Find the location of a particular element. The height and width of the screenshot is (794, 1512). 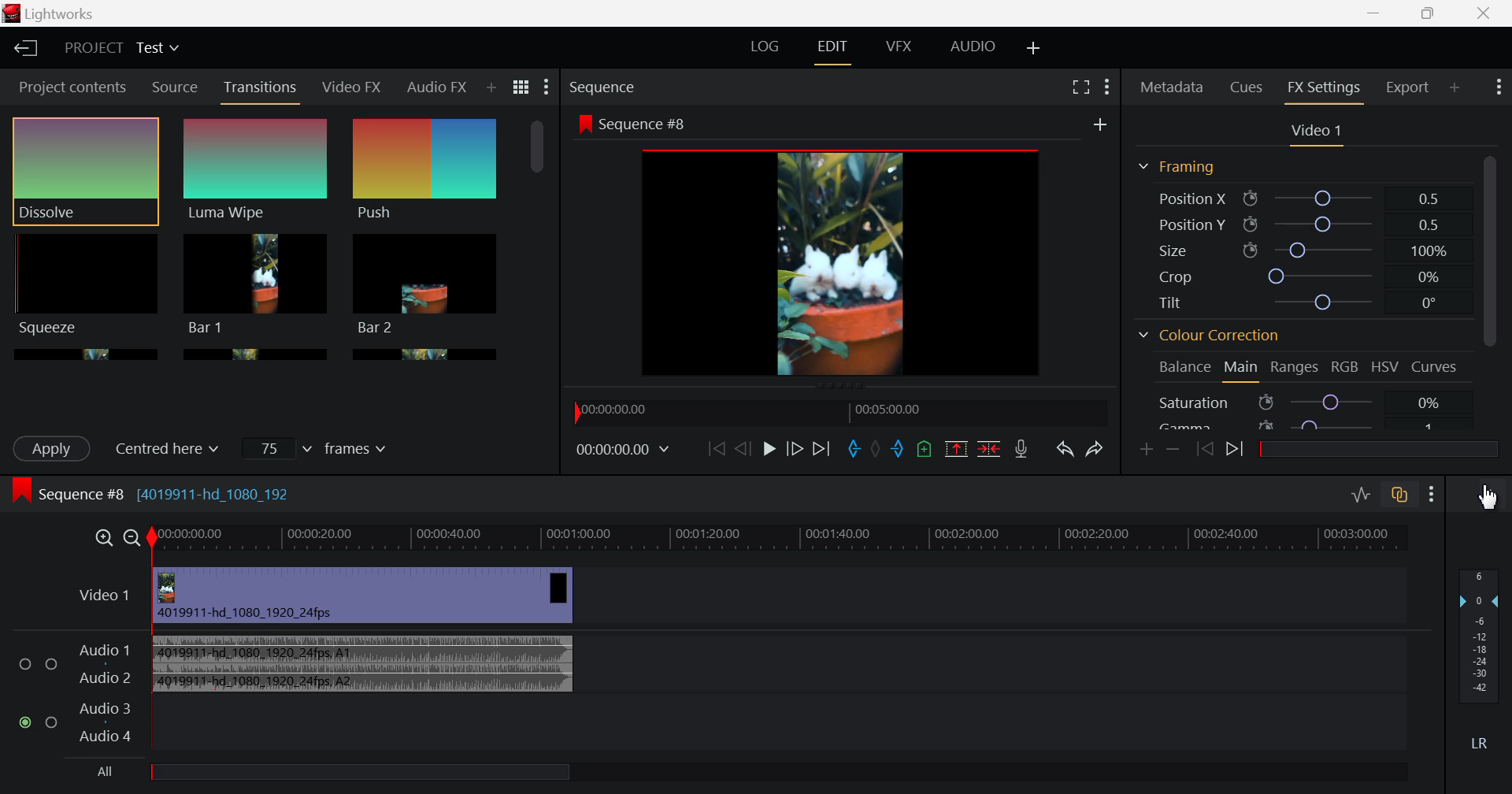

Curves is located at coordinates (1433, 366).